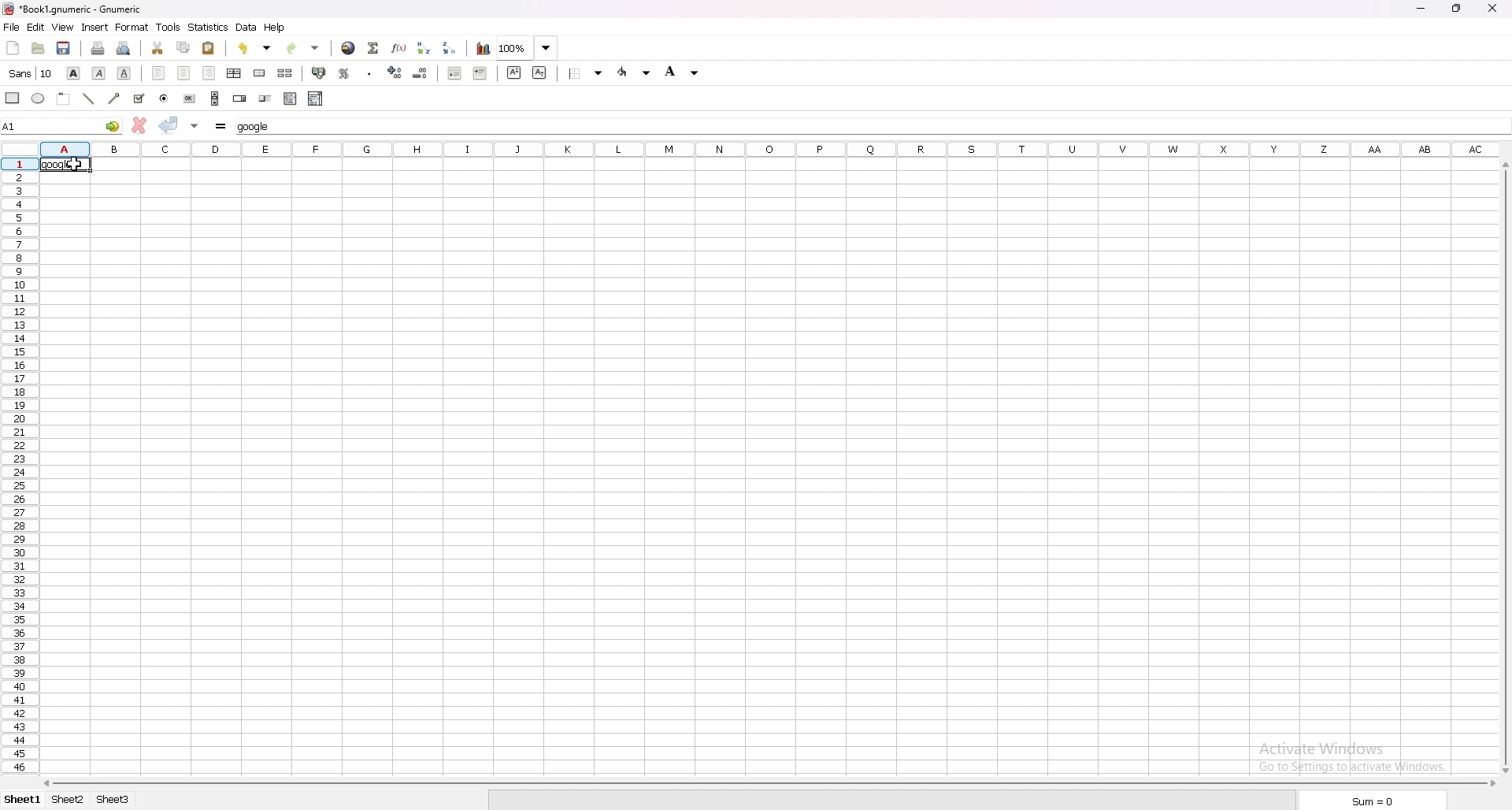 This screenshot has width=1512, height=810. What do you see at coordinates (90, 97) in the screenshot?
I see `line` at bounding box center [90, 97].